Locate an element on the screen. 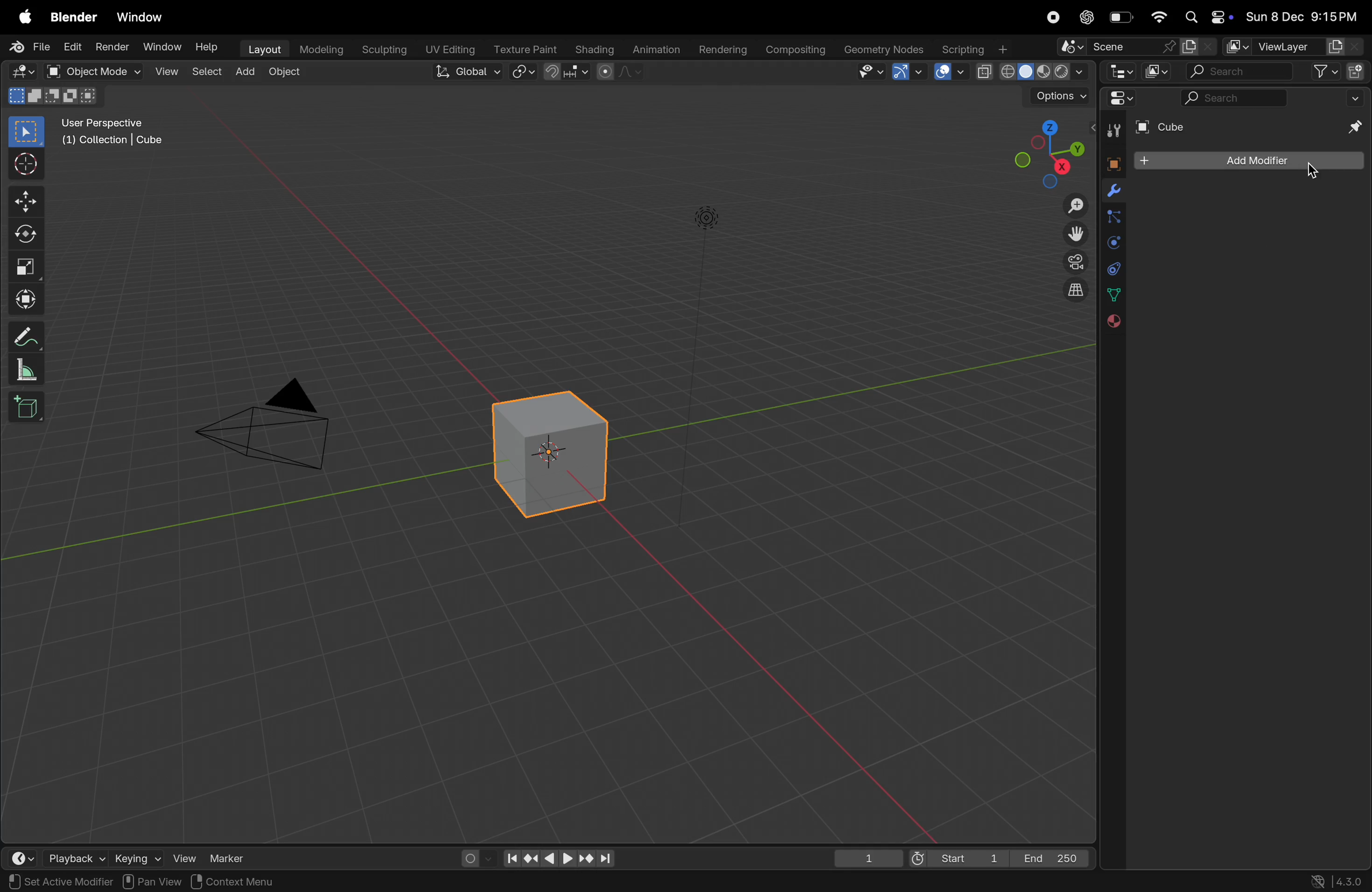 This screenshot has width=1372, height=892. end 250 is located at coordinates (1053, 856).